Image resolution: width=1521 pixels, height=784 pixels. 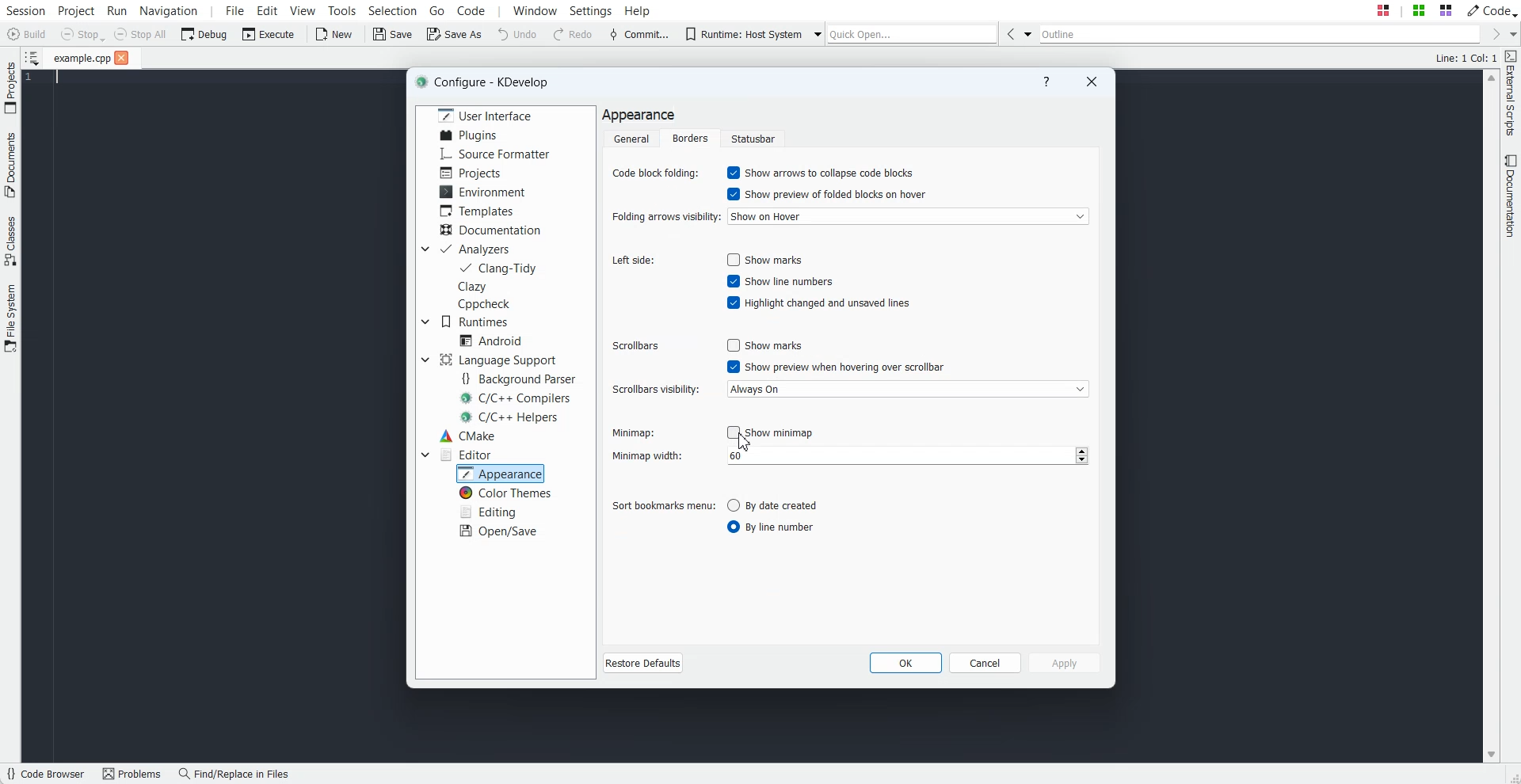 I want to click on Enable show preview when hovering over scrollbar, so click(x=837, y=367).